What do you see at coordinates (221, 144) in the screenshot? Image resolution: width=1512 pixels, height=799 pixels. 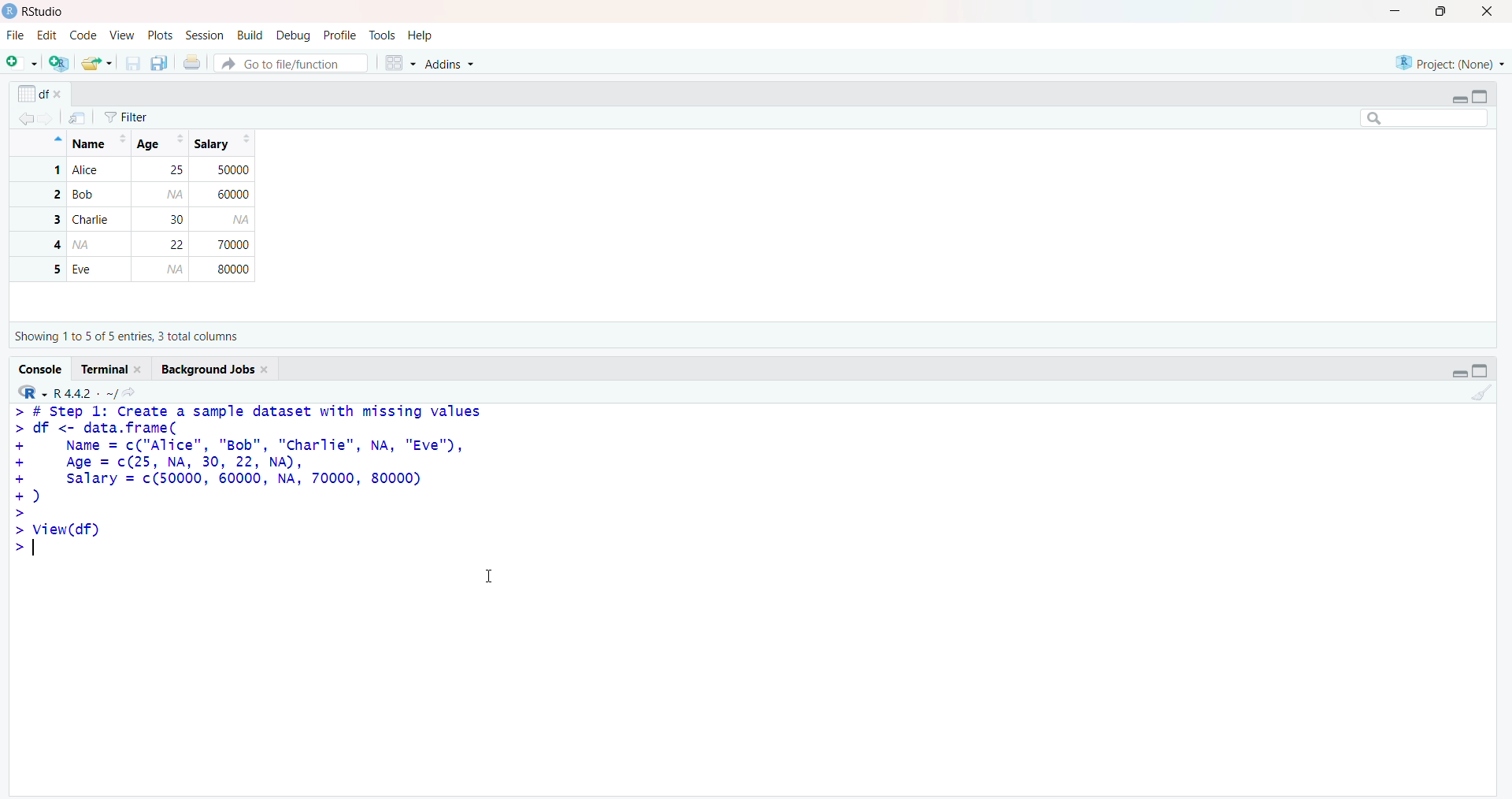 I see `Salary` at bounding box center [221, 144].